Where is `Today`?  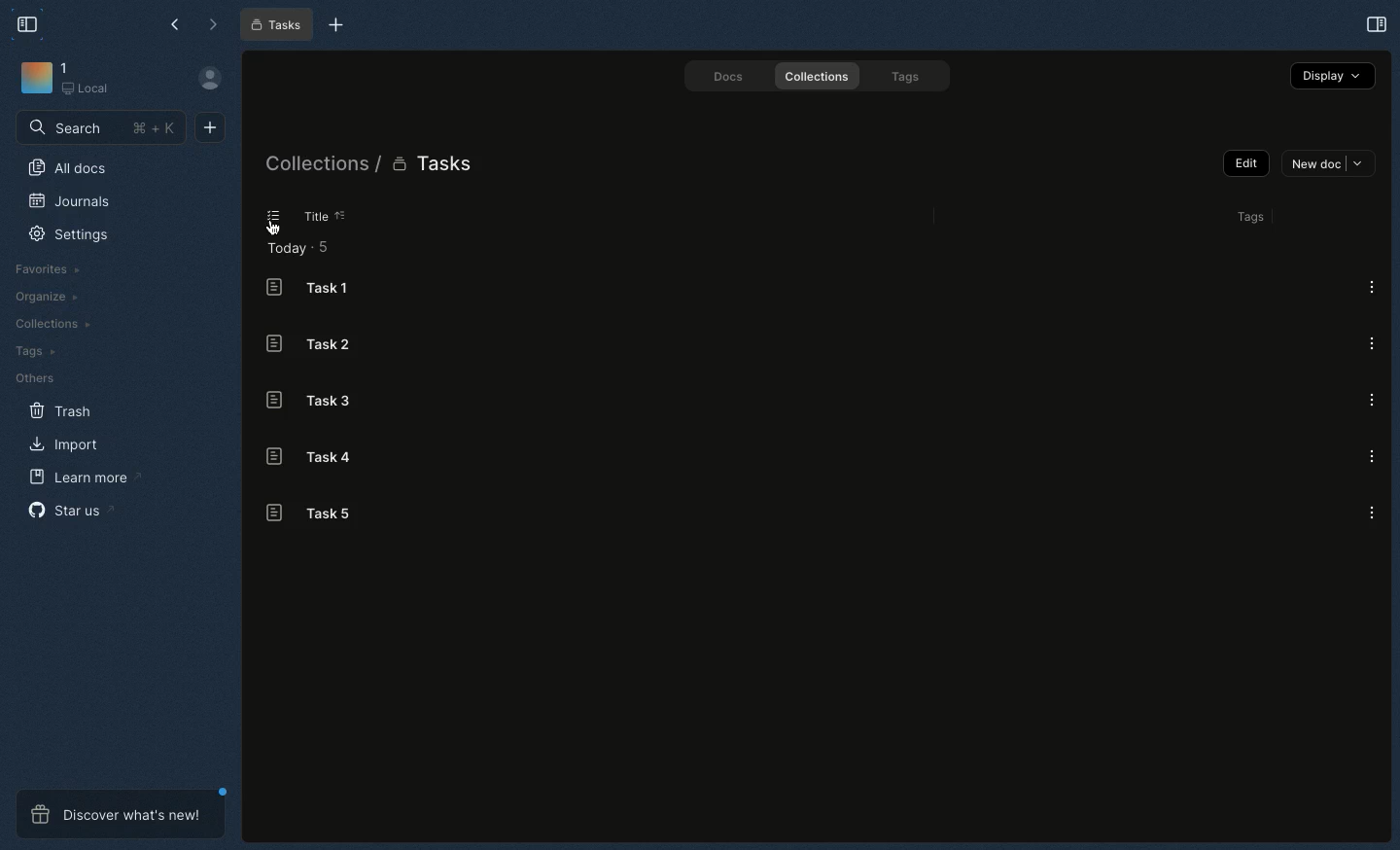
Today is located at coordinates (288, 249).